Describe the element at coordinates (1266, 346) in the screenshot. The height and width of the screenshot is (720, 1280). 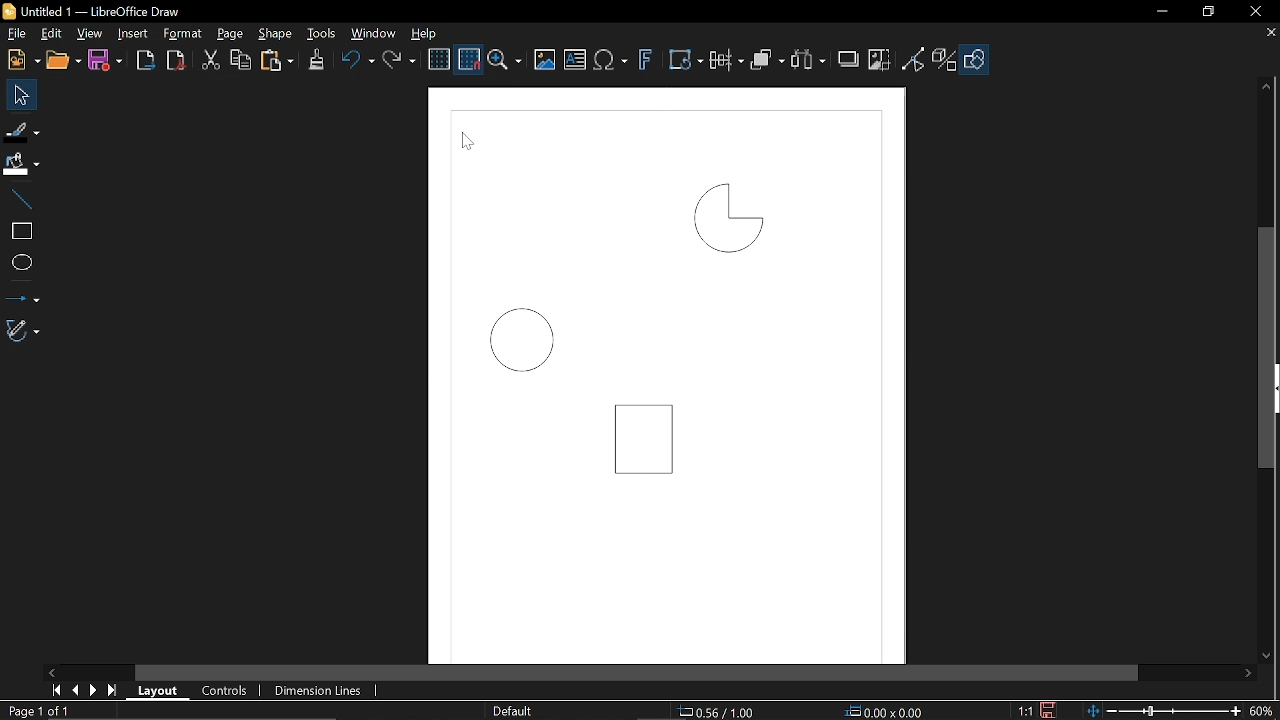
I see `Vertical scrollbar` at that location.